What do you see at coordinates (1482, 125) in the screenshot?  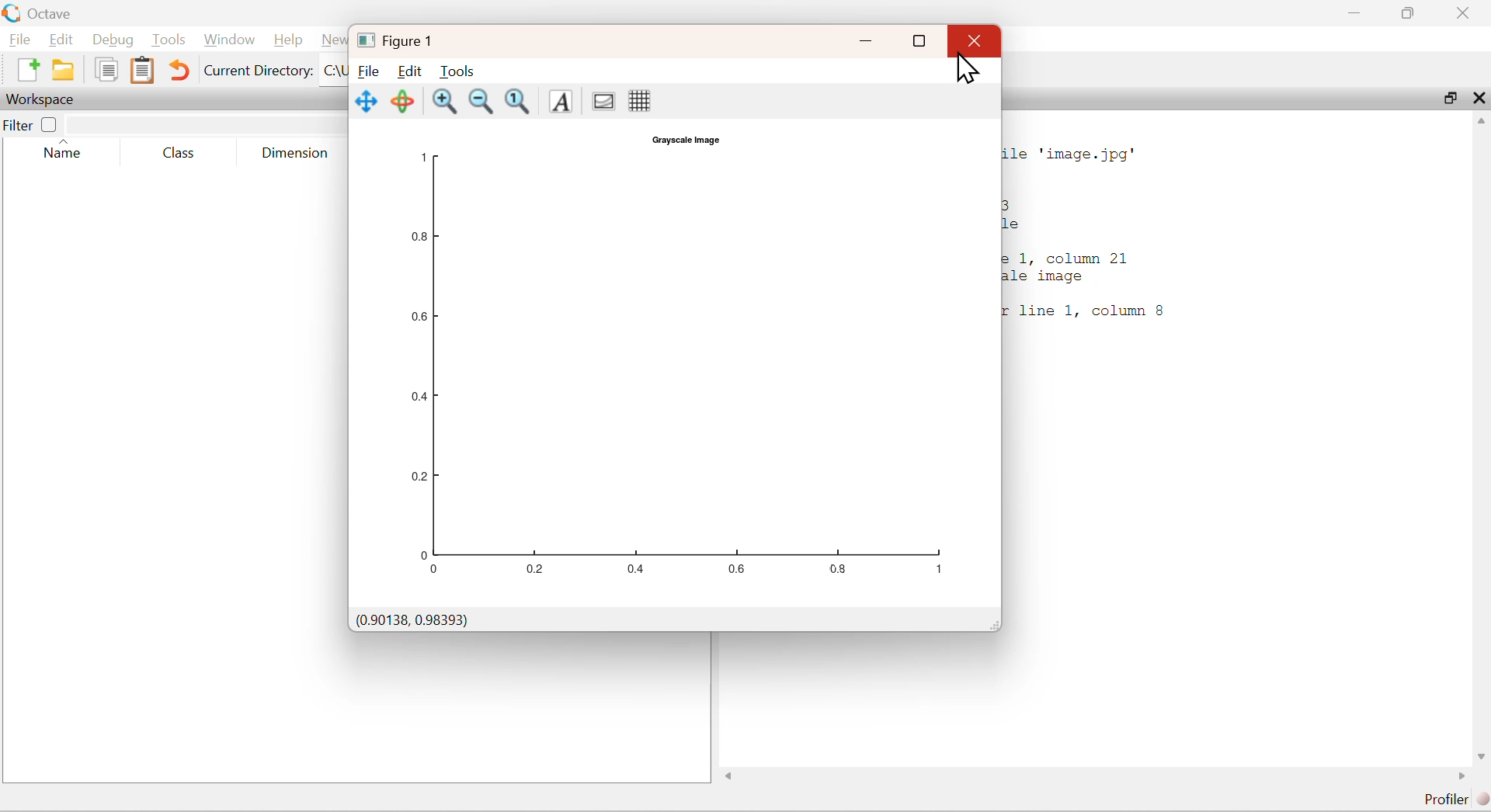 I see `scroll bar up` at bounding box center [1482, 125].